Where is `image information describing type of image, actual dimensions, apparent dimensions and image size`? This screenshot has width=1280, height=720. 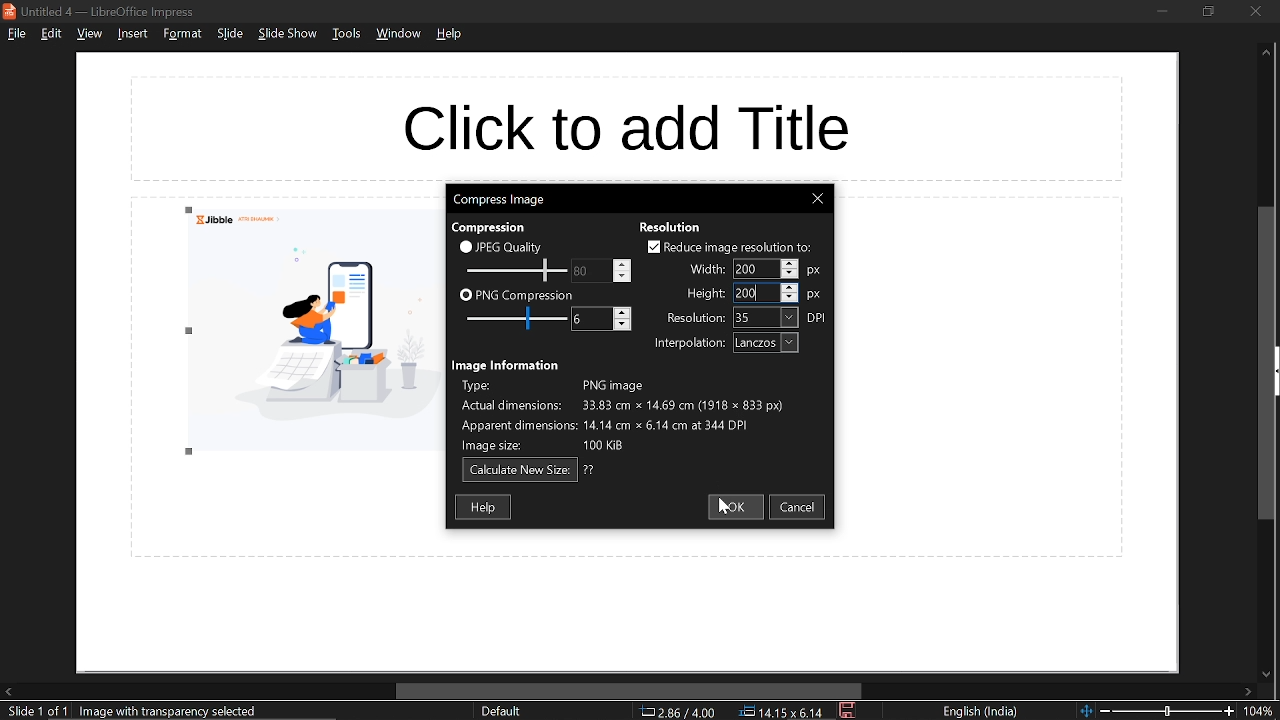
image information describing type of image, actual dimensions, apparent dimensions and image size is located at coordinates (634, 416).